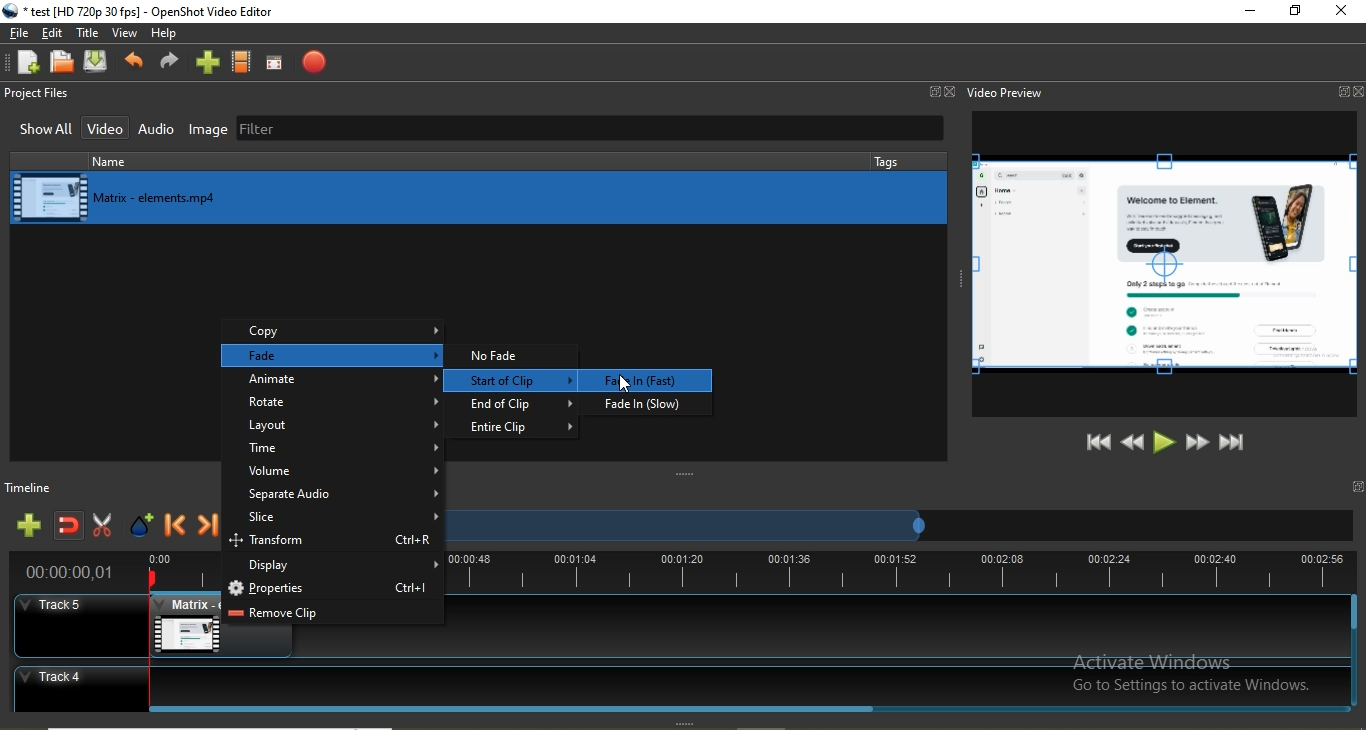  Describe the element at coordinates (1164, 266) in the screenshot. I see `editing buttons` at that location.